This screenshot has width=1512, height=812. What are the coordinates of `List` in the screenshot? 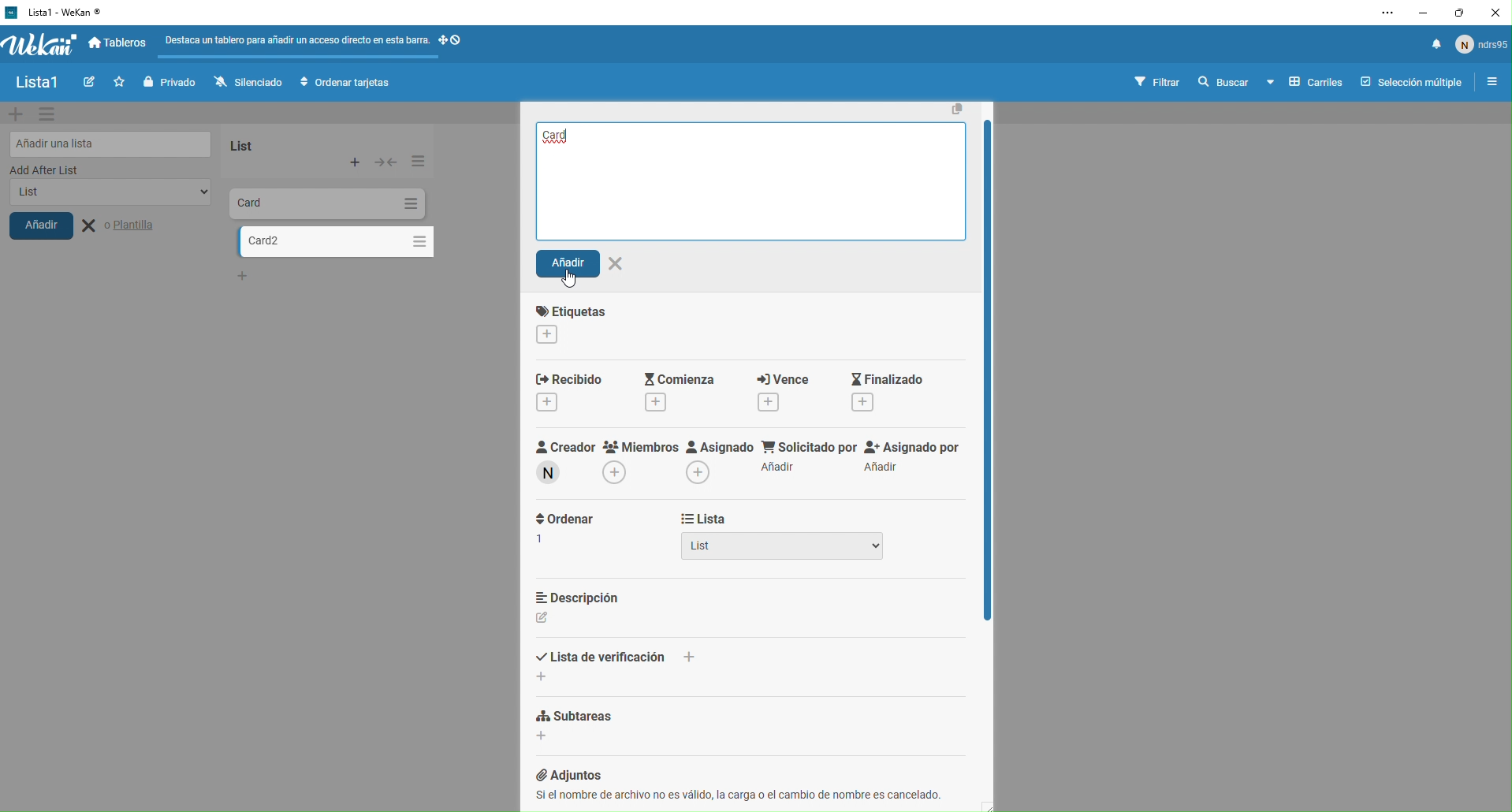 It's located at (795, 549).